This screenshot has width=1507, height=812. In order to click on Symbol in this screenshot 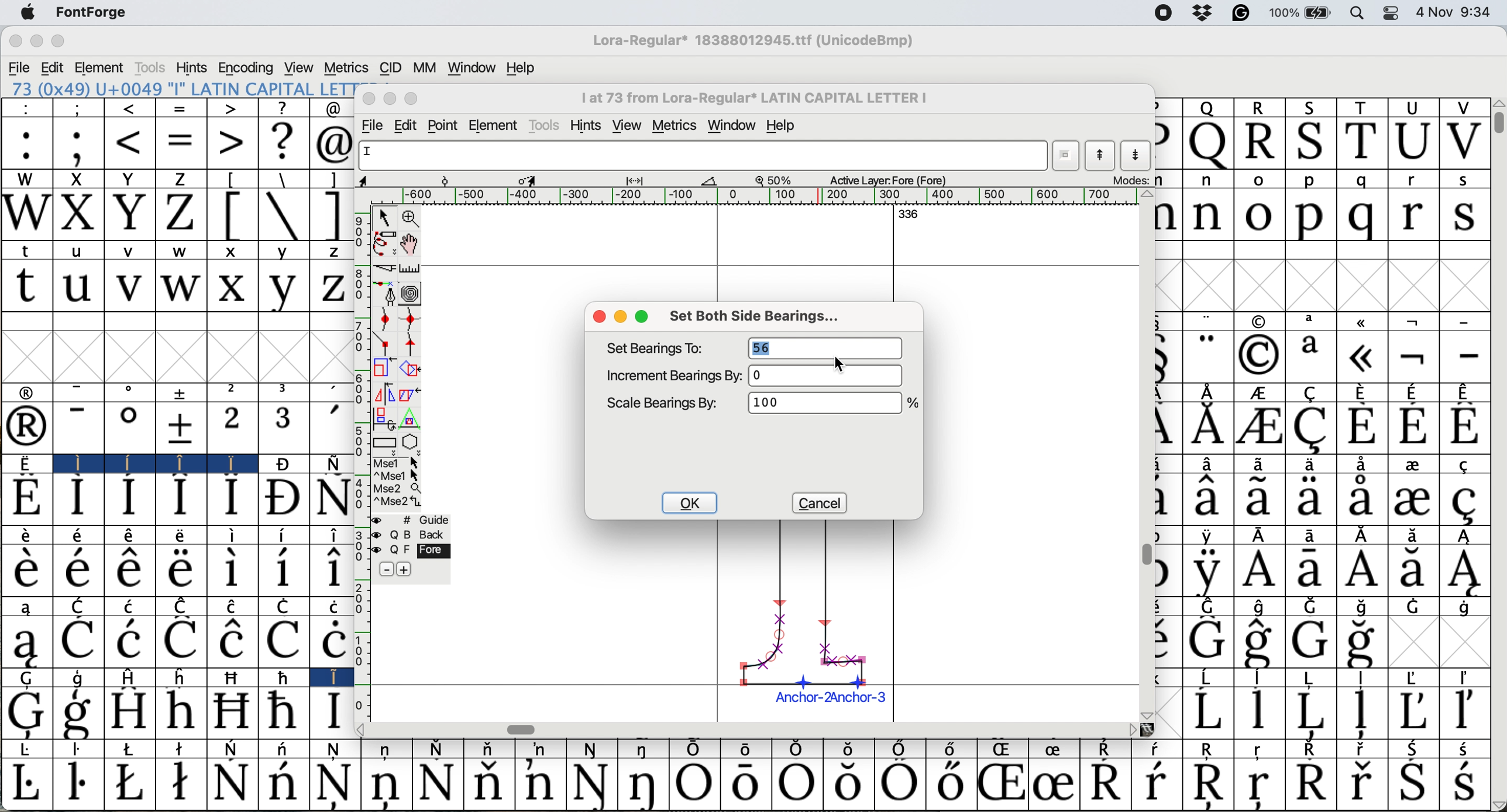, I will do `click(181, 748)`.